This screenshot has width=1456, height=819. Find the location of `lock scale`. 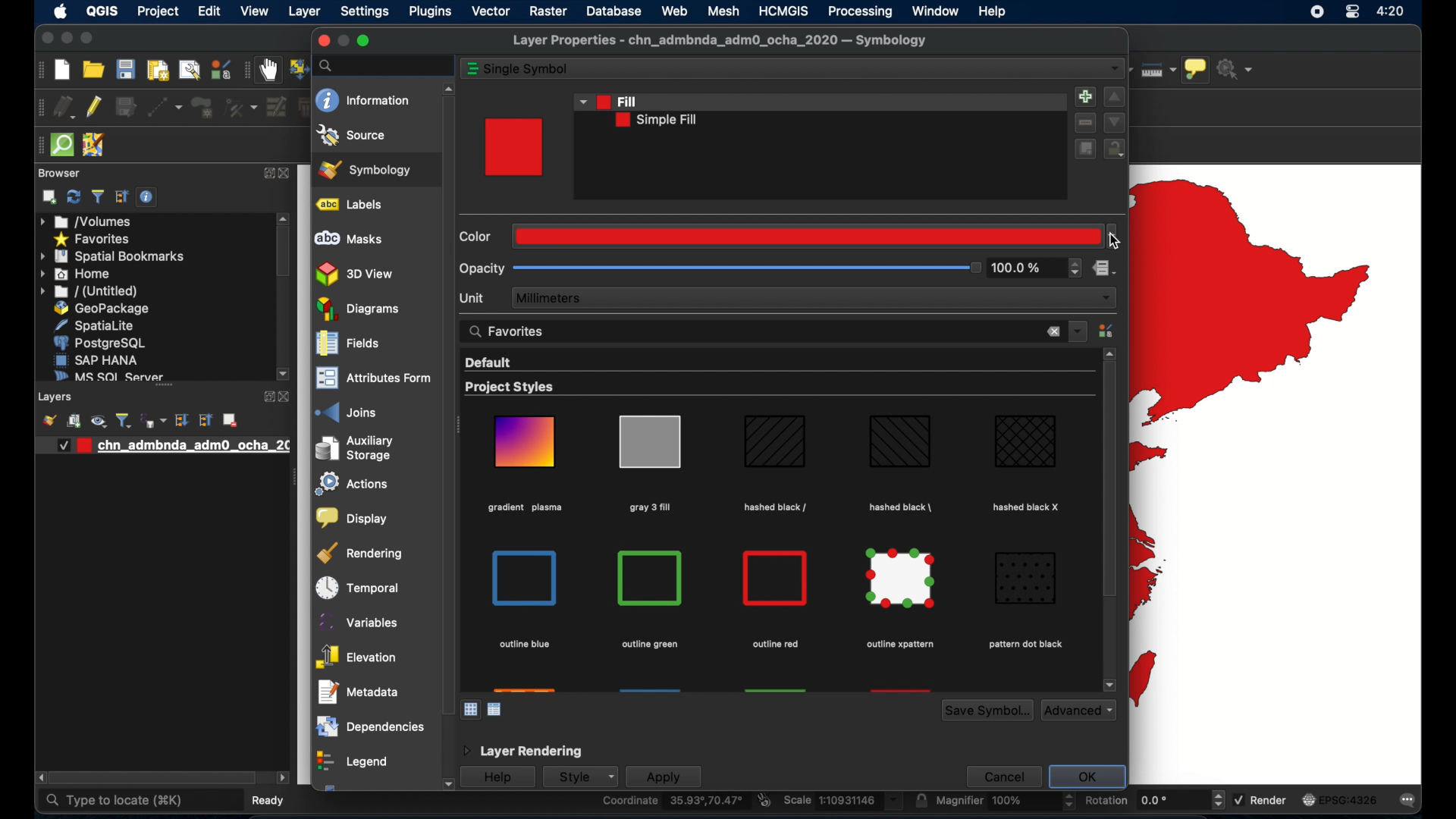

lock scale is located at coordinates (921, 801).